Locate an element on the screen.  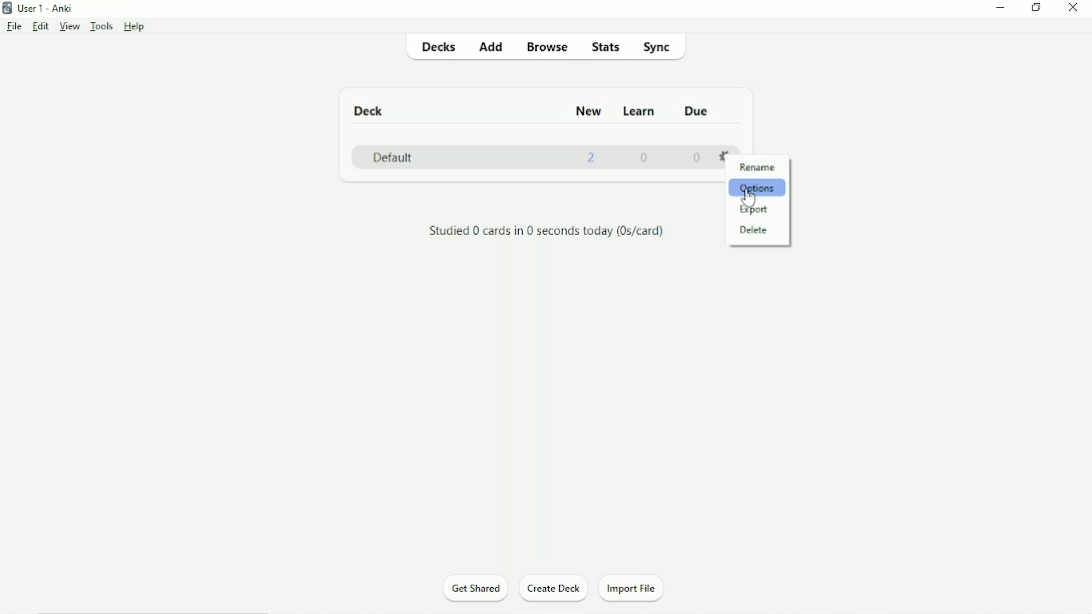
Close is located at coordinates (1072, 9).